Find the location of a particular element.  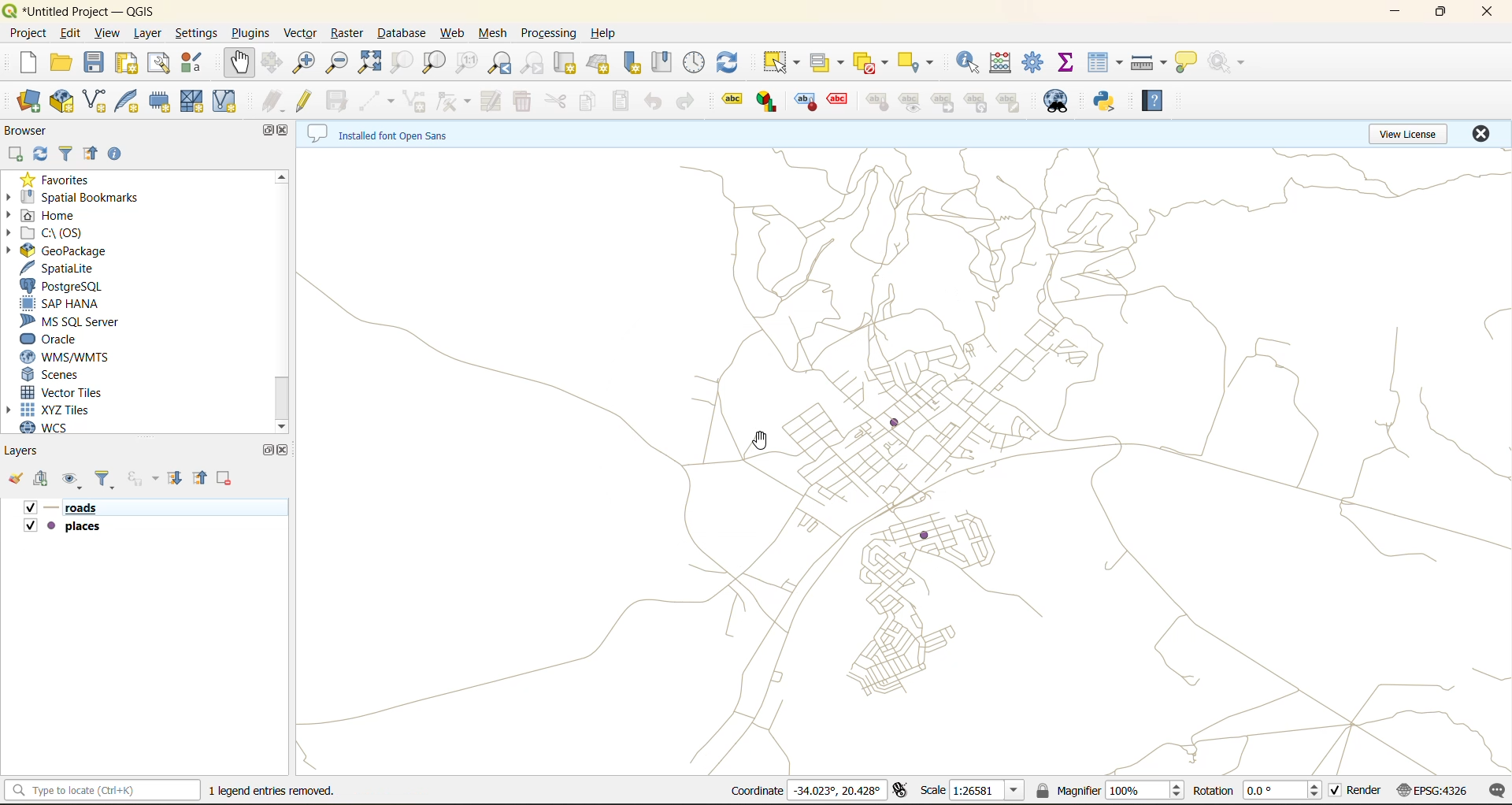

expand all is located at coordinates (179, 479).